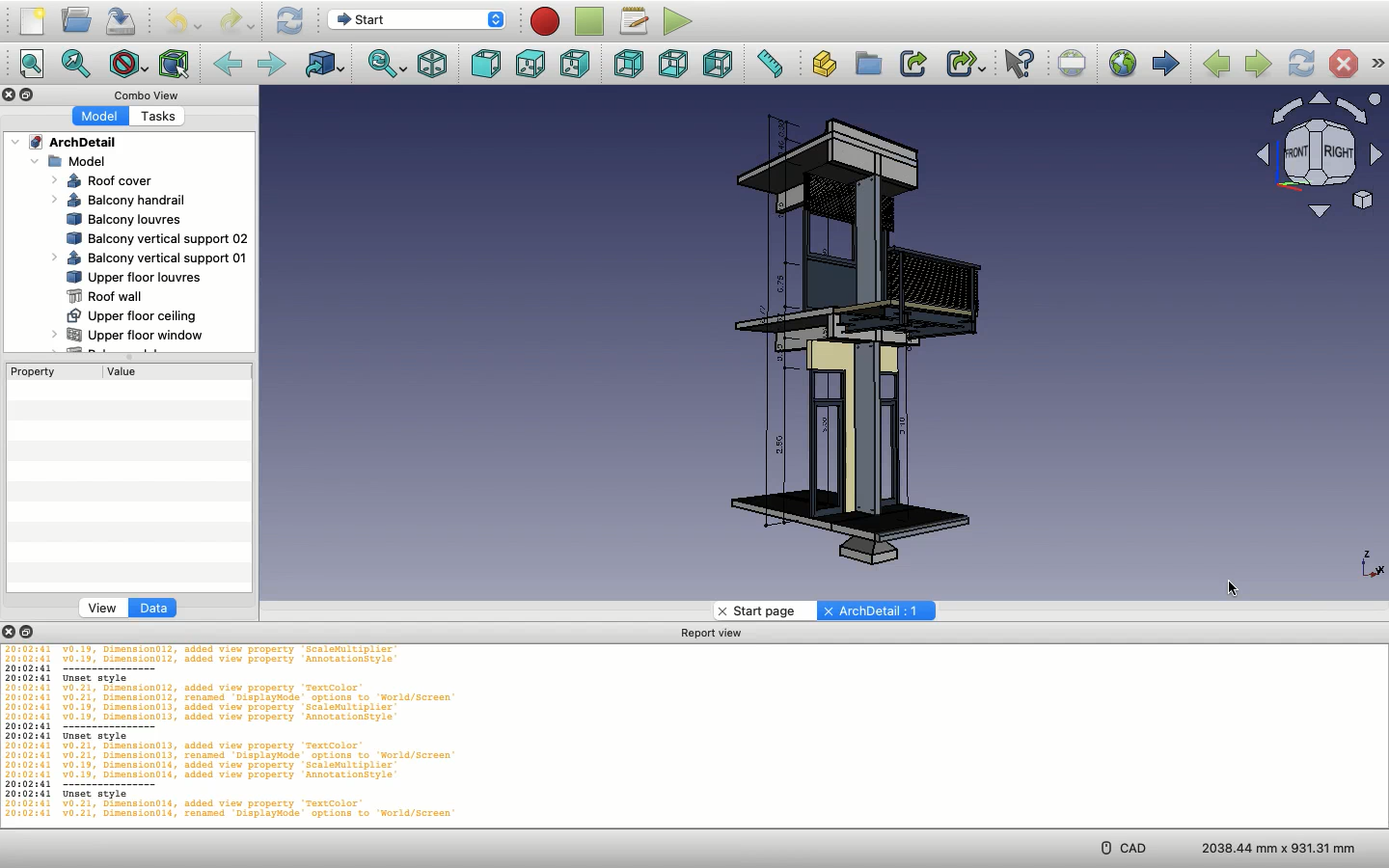  What do you see at coordinates (531, 63) in the screenshot?
I see `Top` at bounding box center [531, 63].